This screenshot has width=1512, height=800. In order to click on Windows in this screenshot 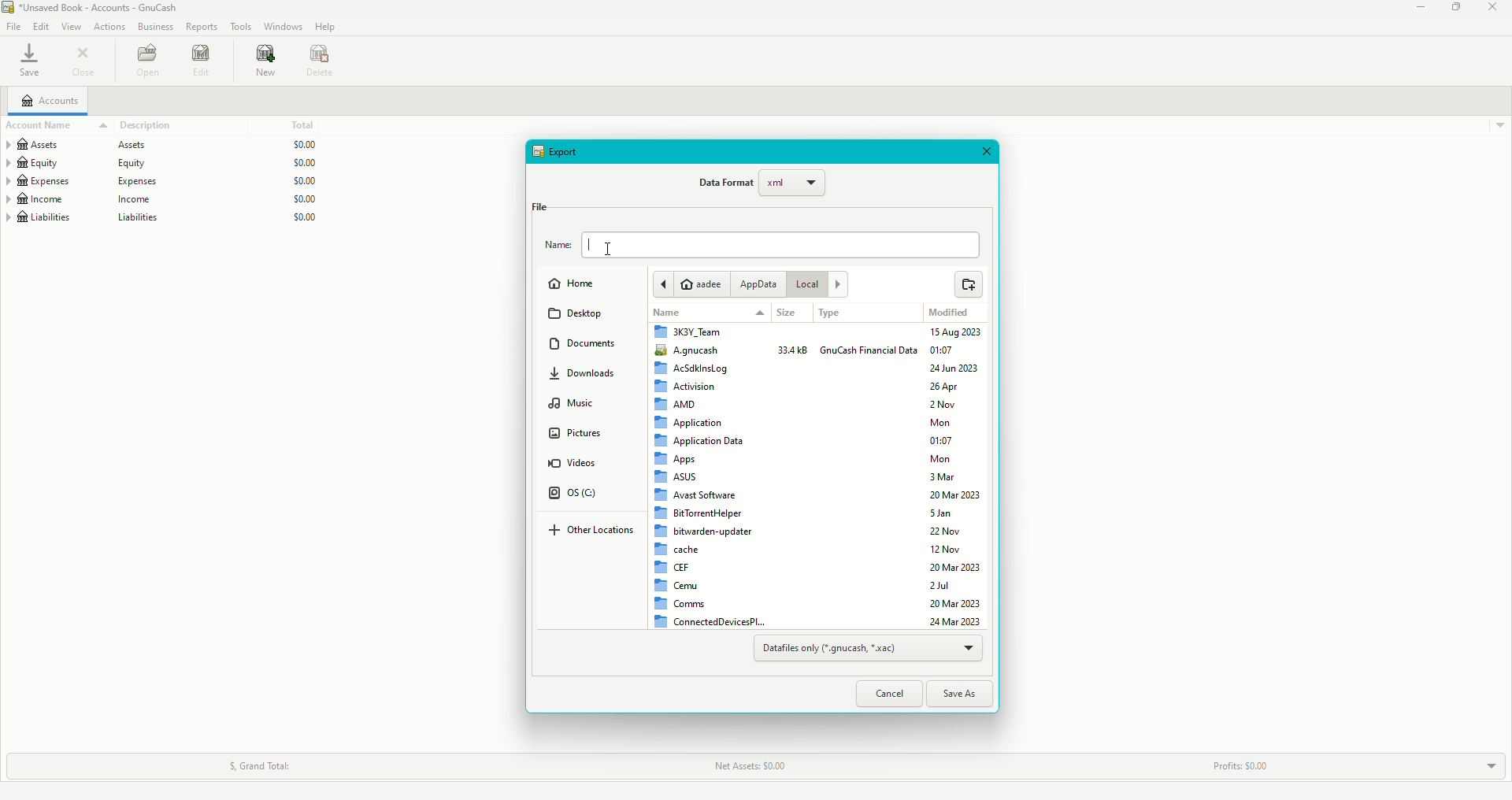, I will do `click(283, 28)`.